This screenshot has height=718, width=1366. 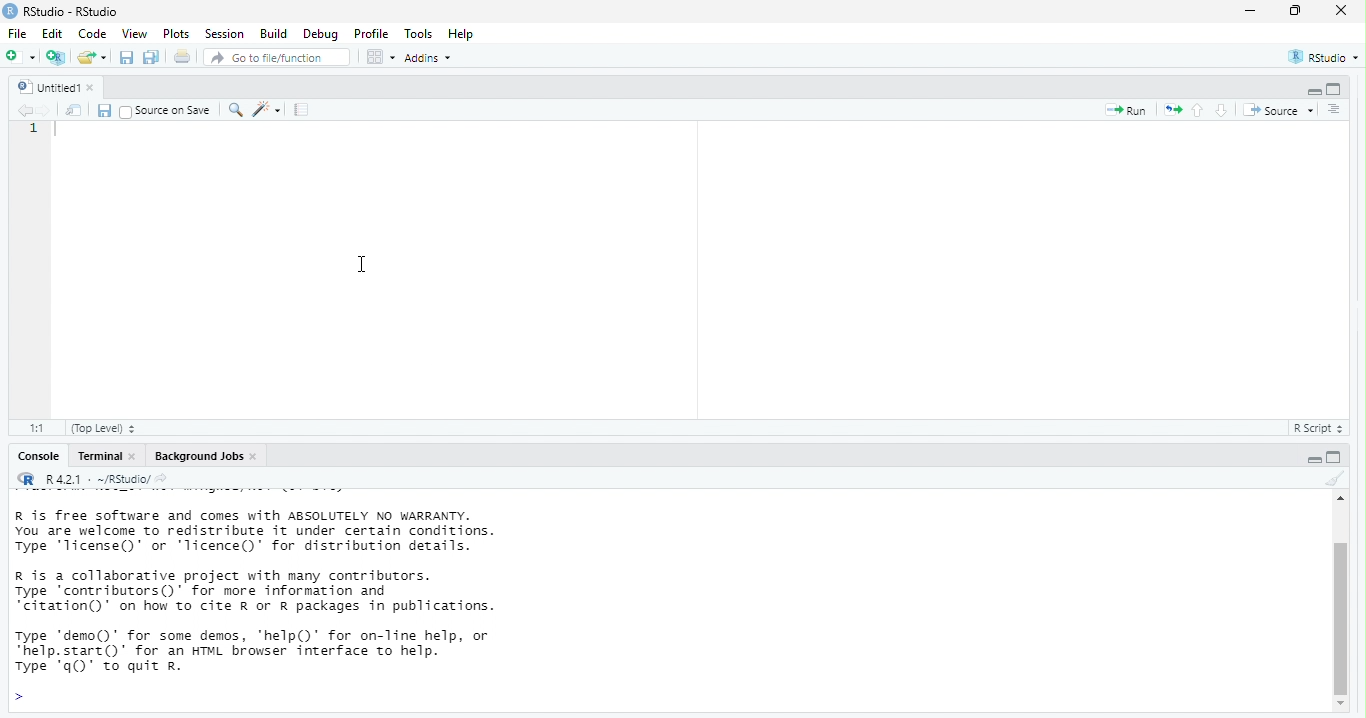 What do you see at coordinates (1025, 271) in the screenshot?
I see `code area` at bounding box center [1025, 271].